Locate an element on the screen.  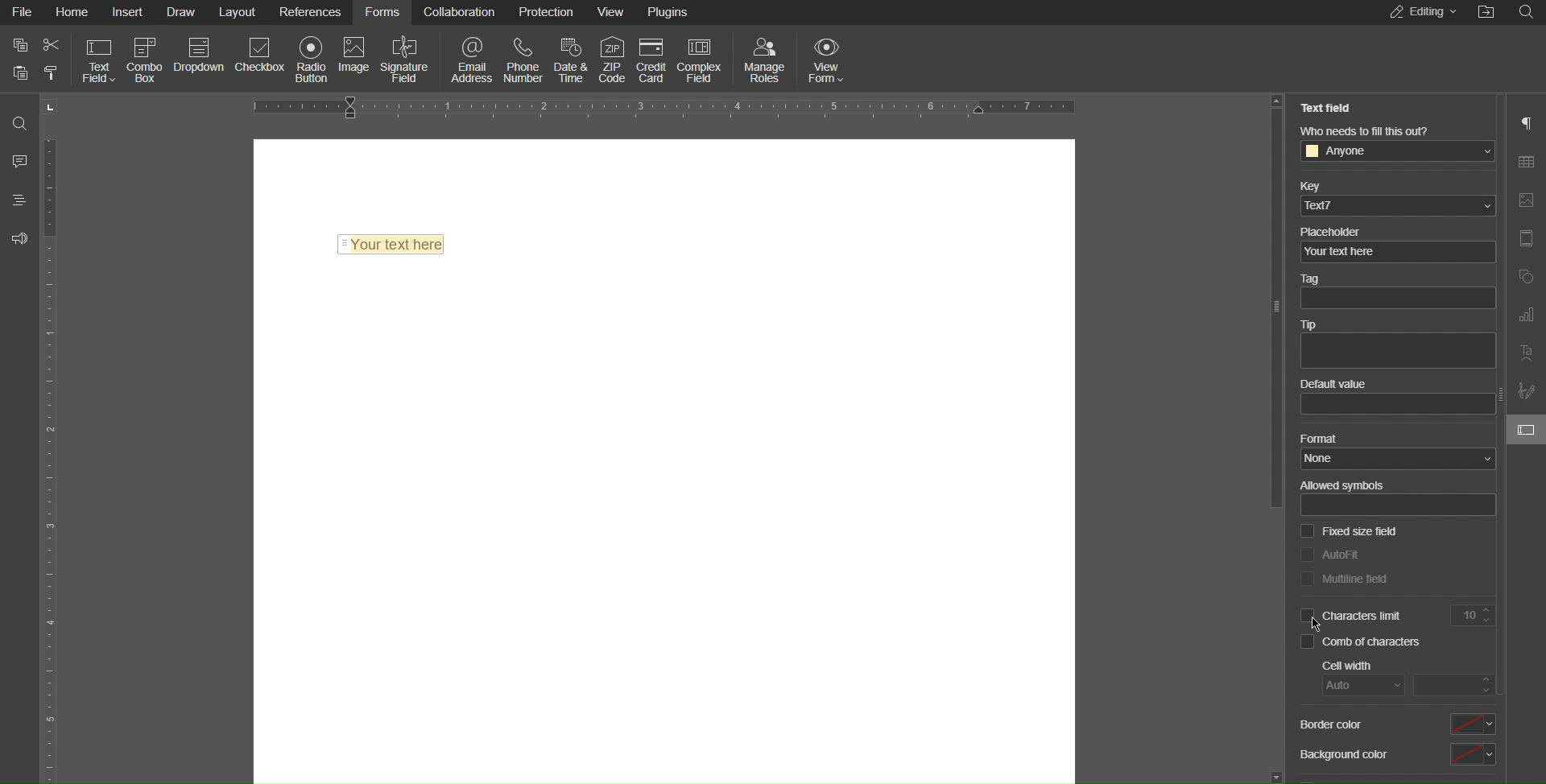
Border color is located at coordinates (1395, 724).